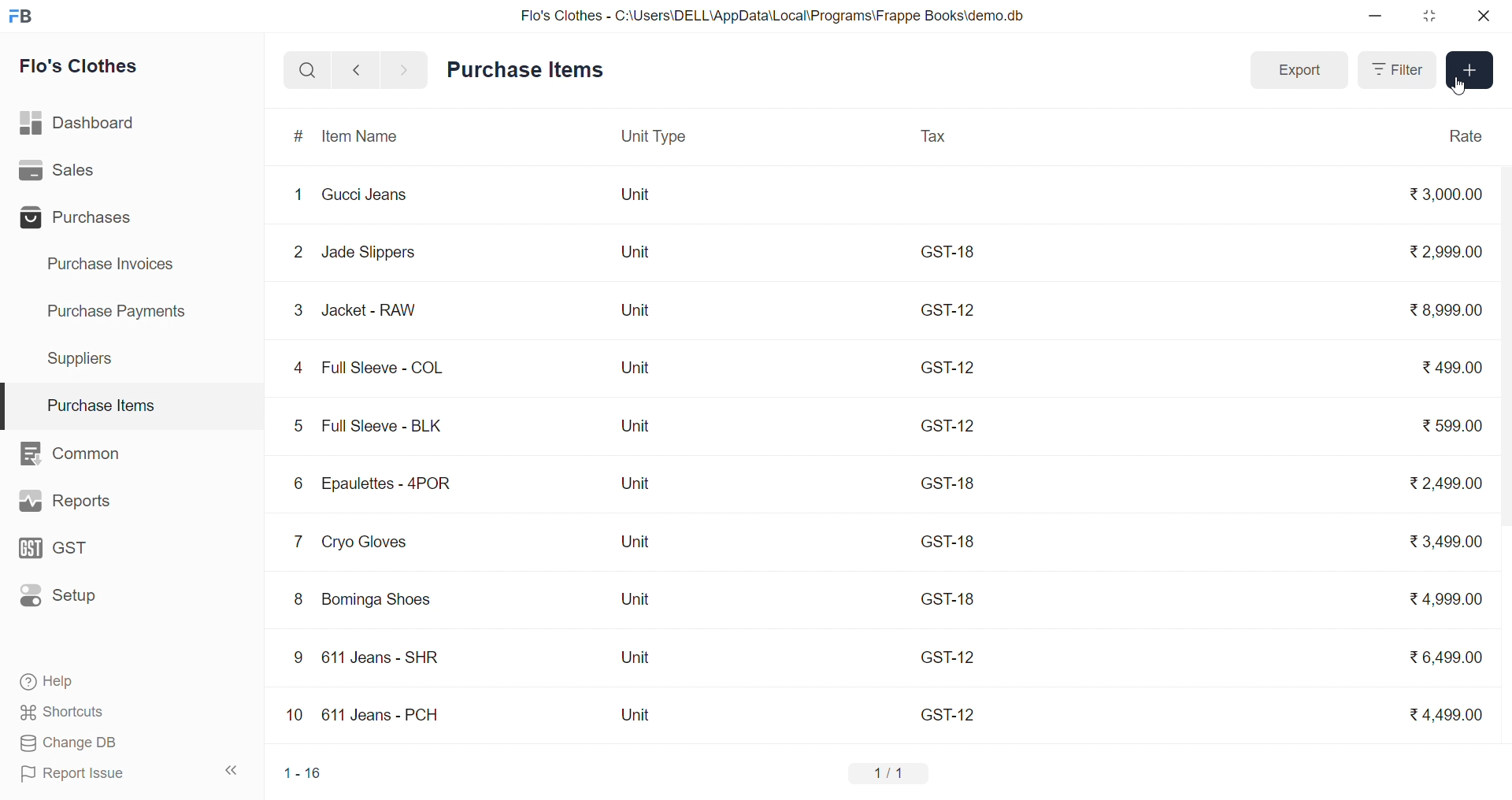 The image size is (1512, 800). What do you see at coordinates (524, 71) in the screenshot?
I see `Purchase Items` at bounding box center [524, 71].